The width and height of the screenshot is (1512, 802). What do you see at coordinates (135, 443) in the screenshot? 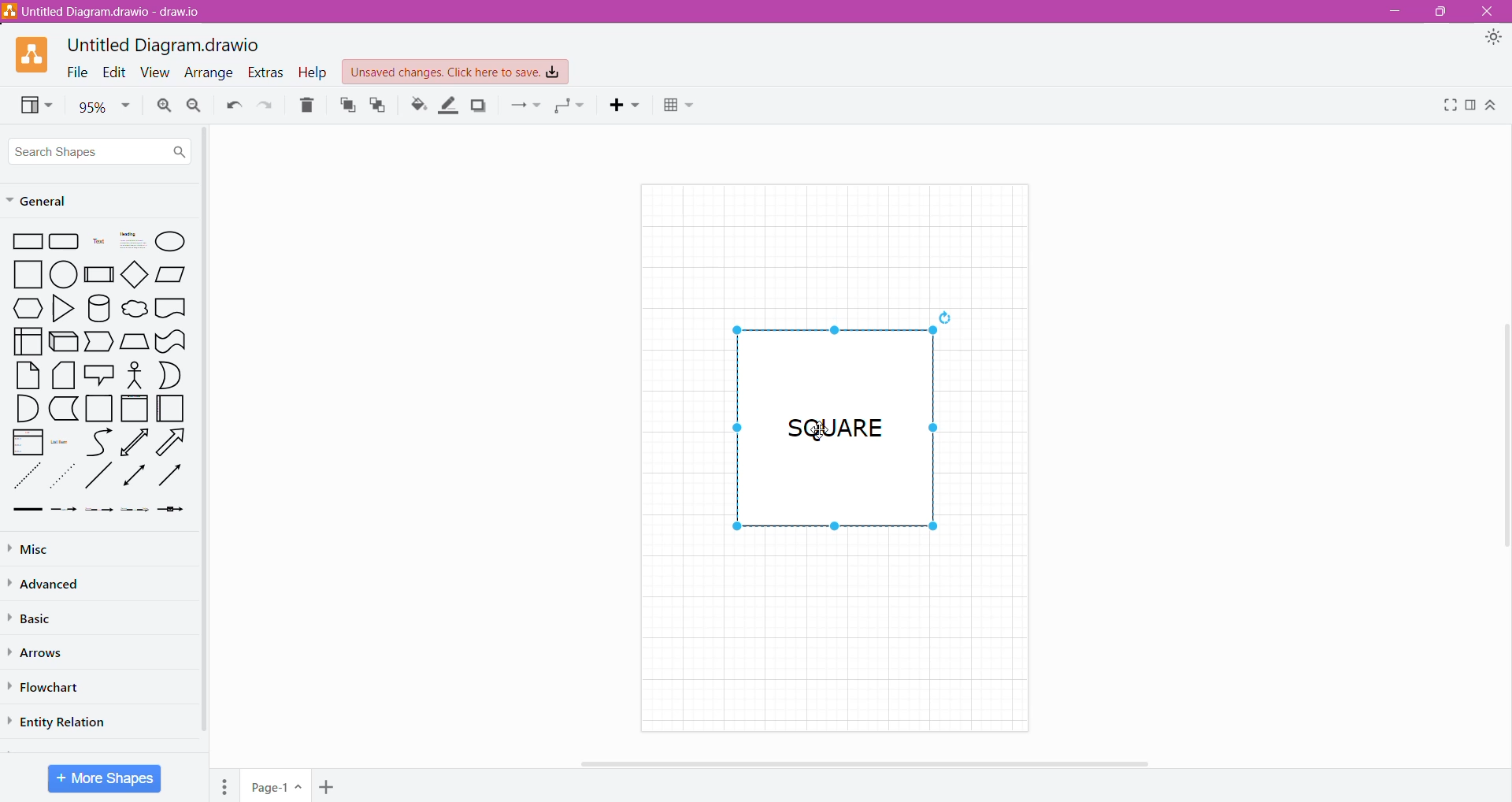
I see `Upward Arrow ` at bounding box center [135, 443].